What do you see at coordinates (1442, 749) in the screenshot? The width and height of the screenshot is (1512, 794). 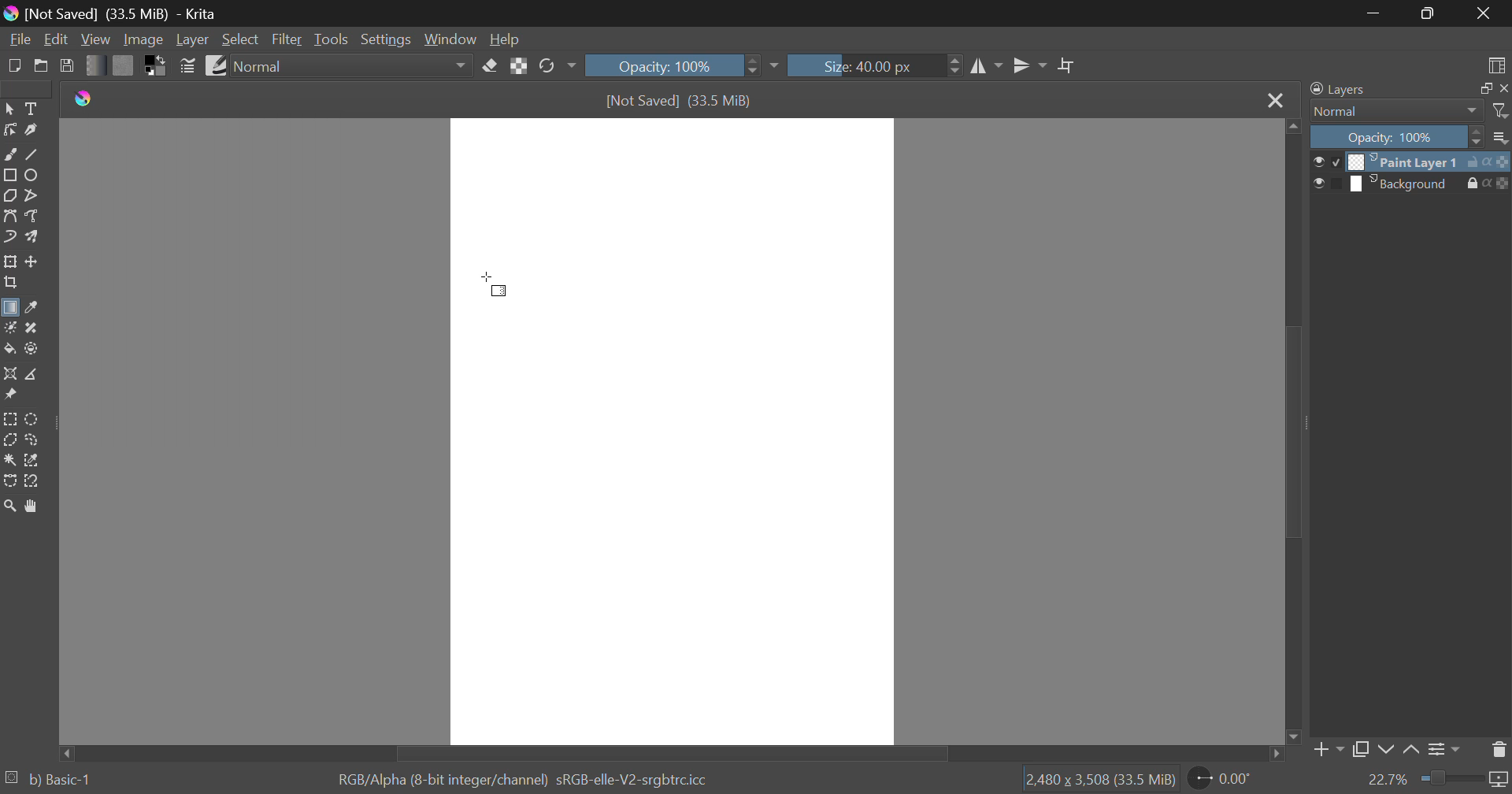 I see `Layer Settings` at bounding box center [1442, 749].